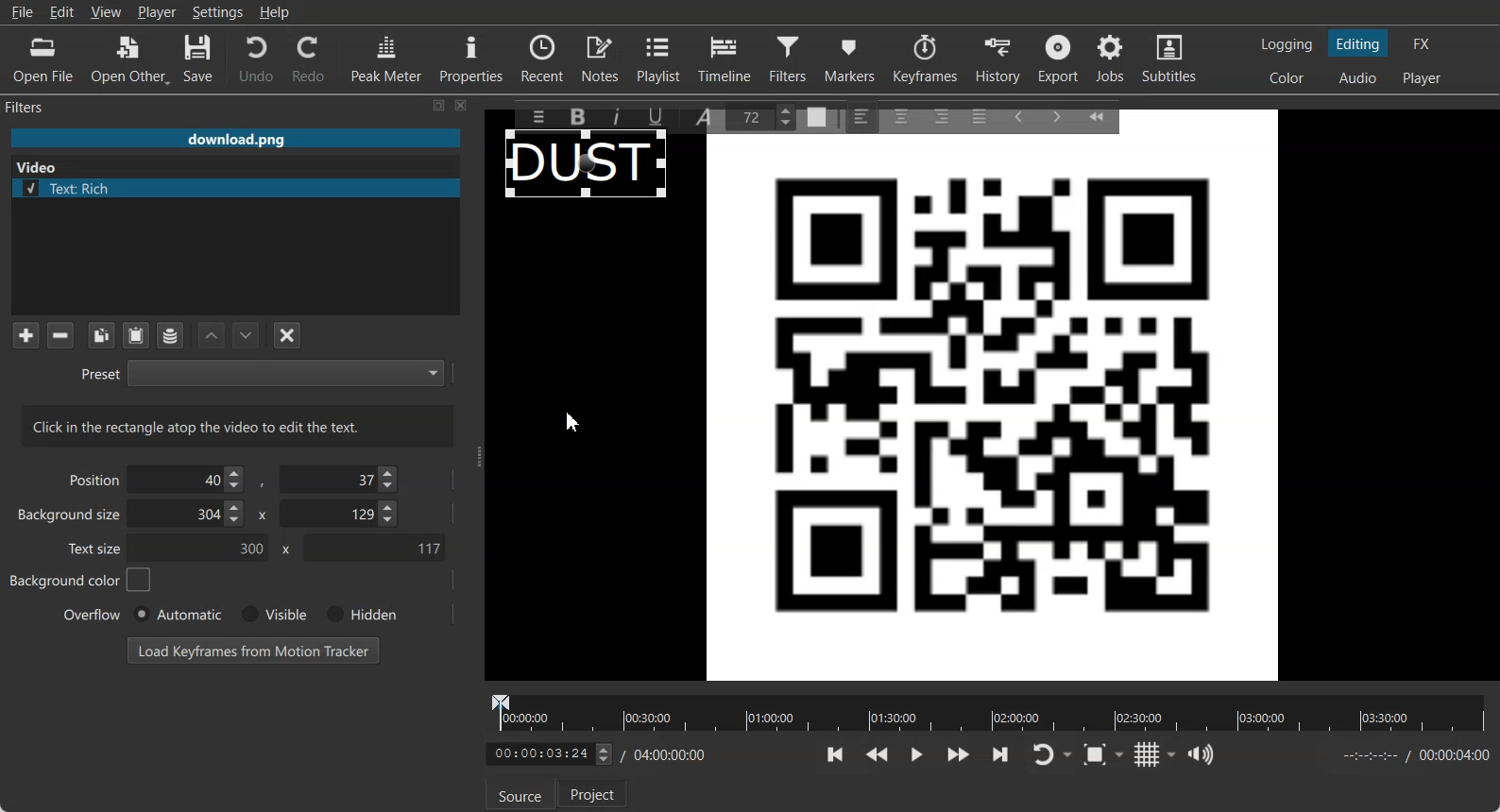 The height and width of the screenshot is (812, 1500). I want to click on Copy checked filters, so click(101, 335).